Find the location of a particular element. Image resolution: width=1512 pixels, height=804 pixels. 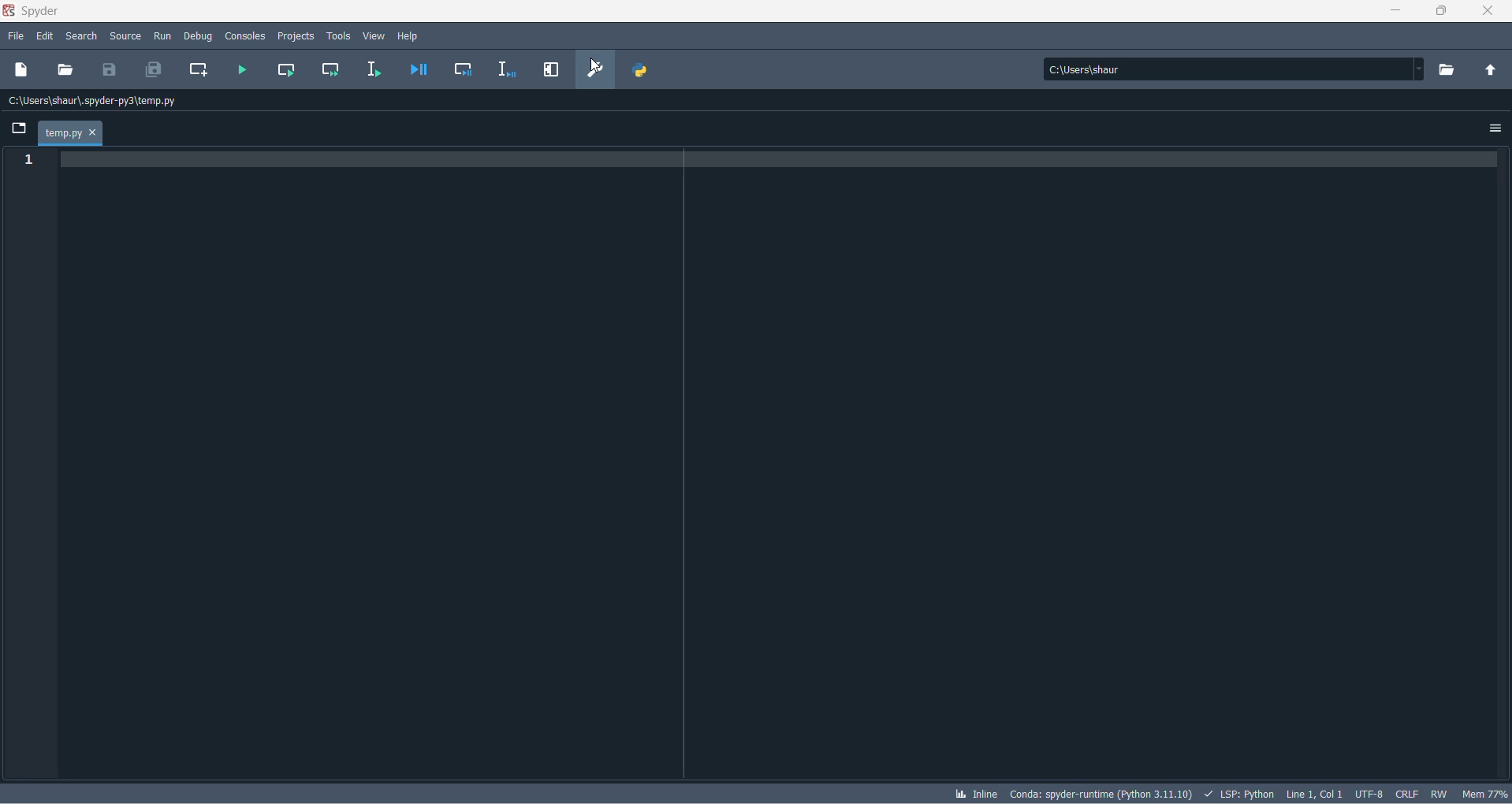

line number is located at coordinates (32, 161).